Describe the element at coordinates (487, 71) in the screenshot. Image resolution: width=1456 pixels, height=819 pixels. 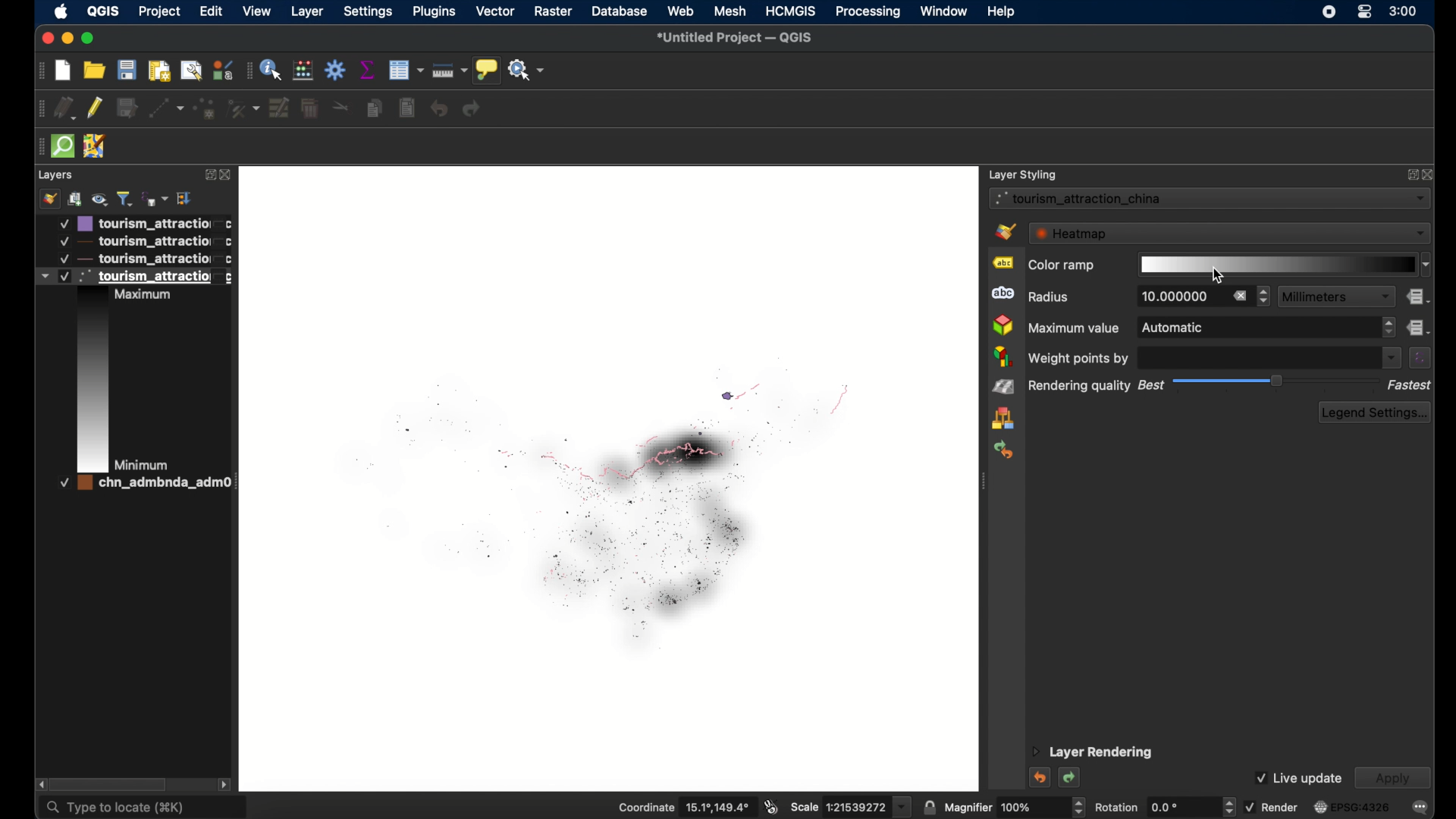
I see `show map tips` at that location.